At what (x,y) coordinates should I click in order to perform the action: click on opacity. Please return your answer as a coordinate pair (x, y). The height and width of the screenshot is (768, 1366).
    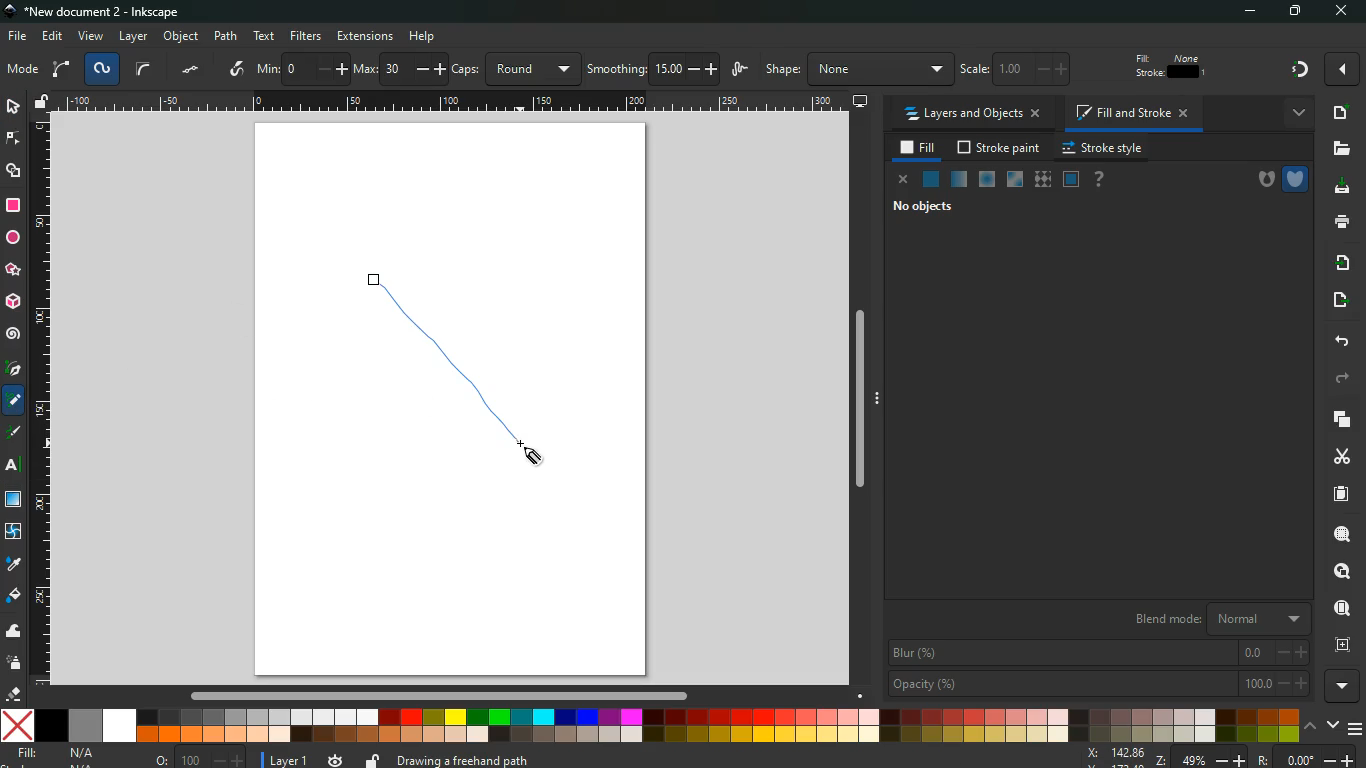
    Looking at the image, I should click on (958, 178).